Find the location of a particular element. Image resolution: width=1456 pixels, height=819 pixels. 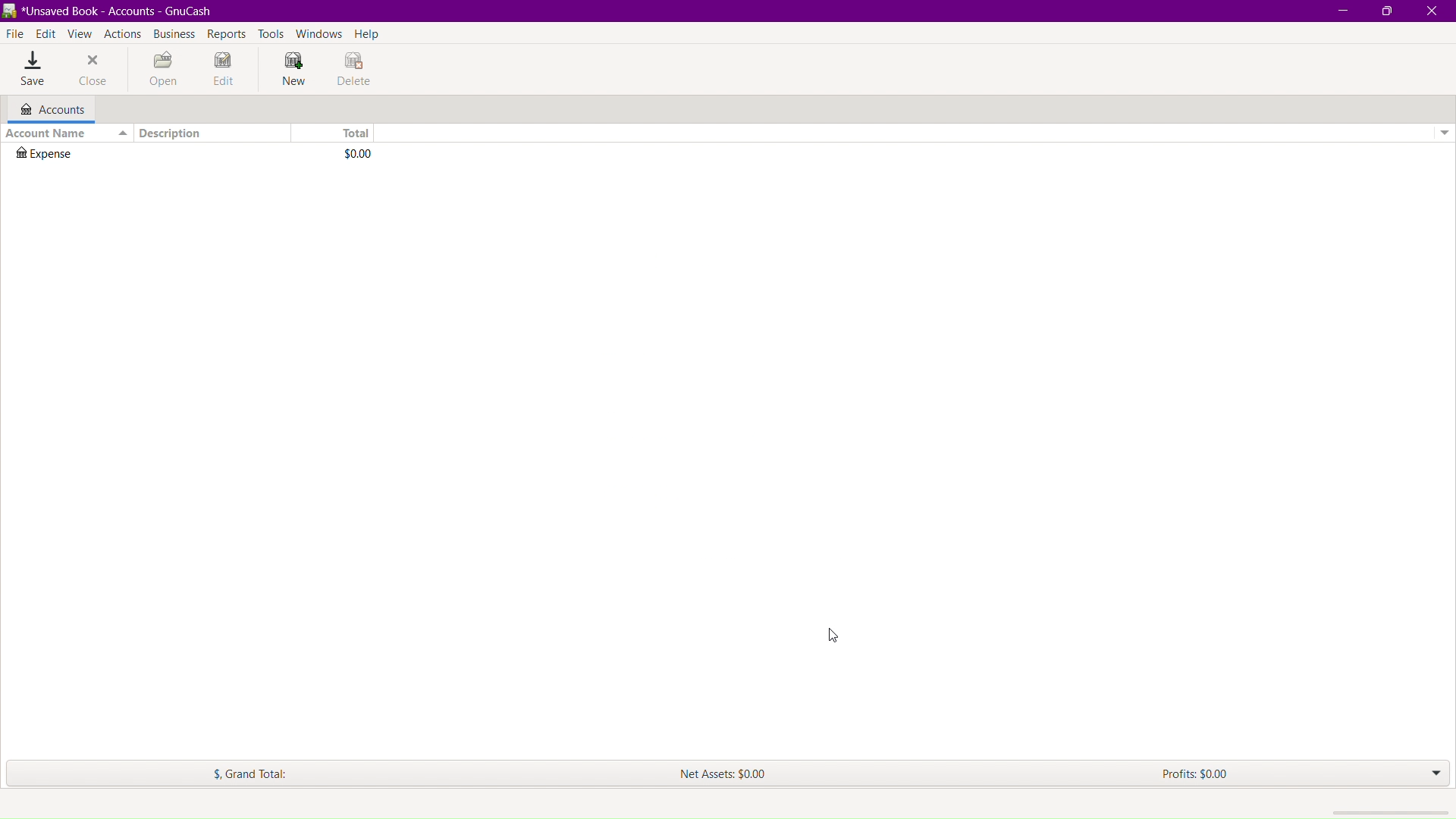

New is located at coordinates (290, 71).